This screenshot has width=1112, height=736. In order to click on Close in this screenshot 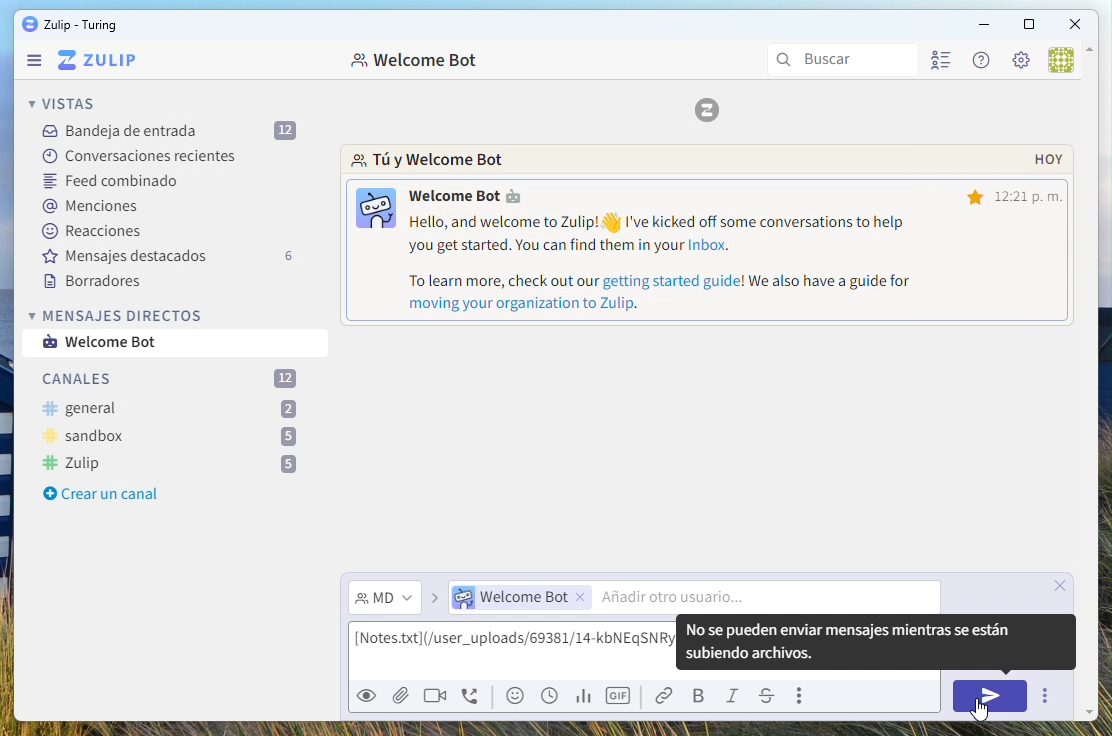, I will do `click(1077, 23)`.